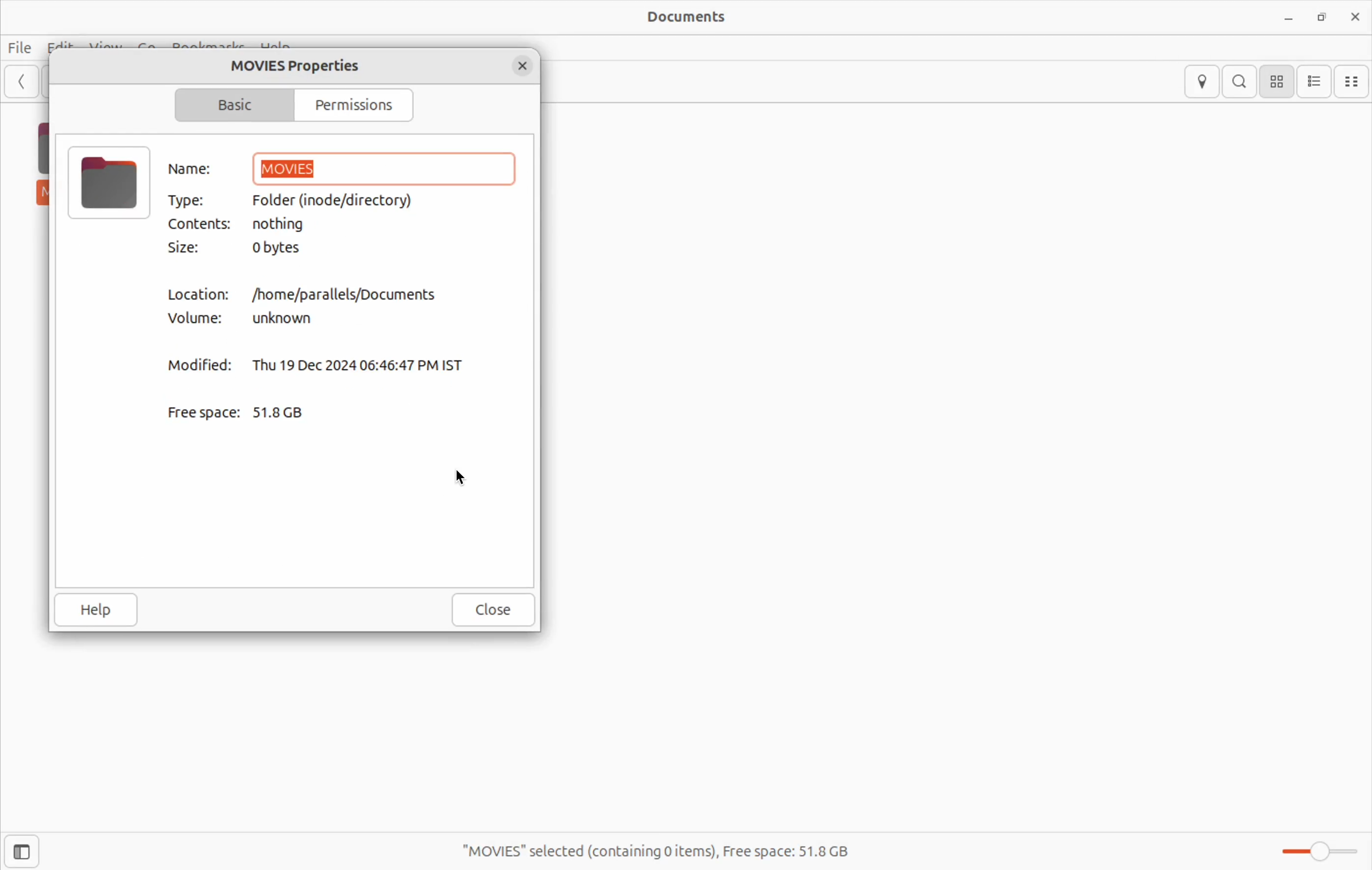  I want to click on icon view, so click(1277, 80).